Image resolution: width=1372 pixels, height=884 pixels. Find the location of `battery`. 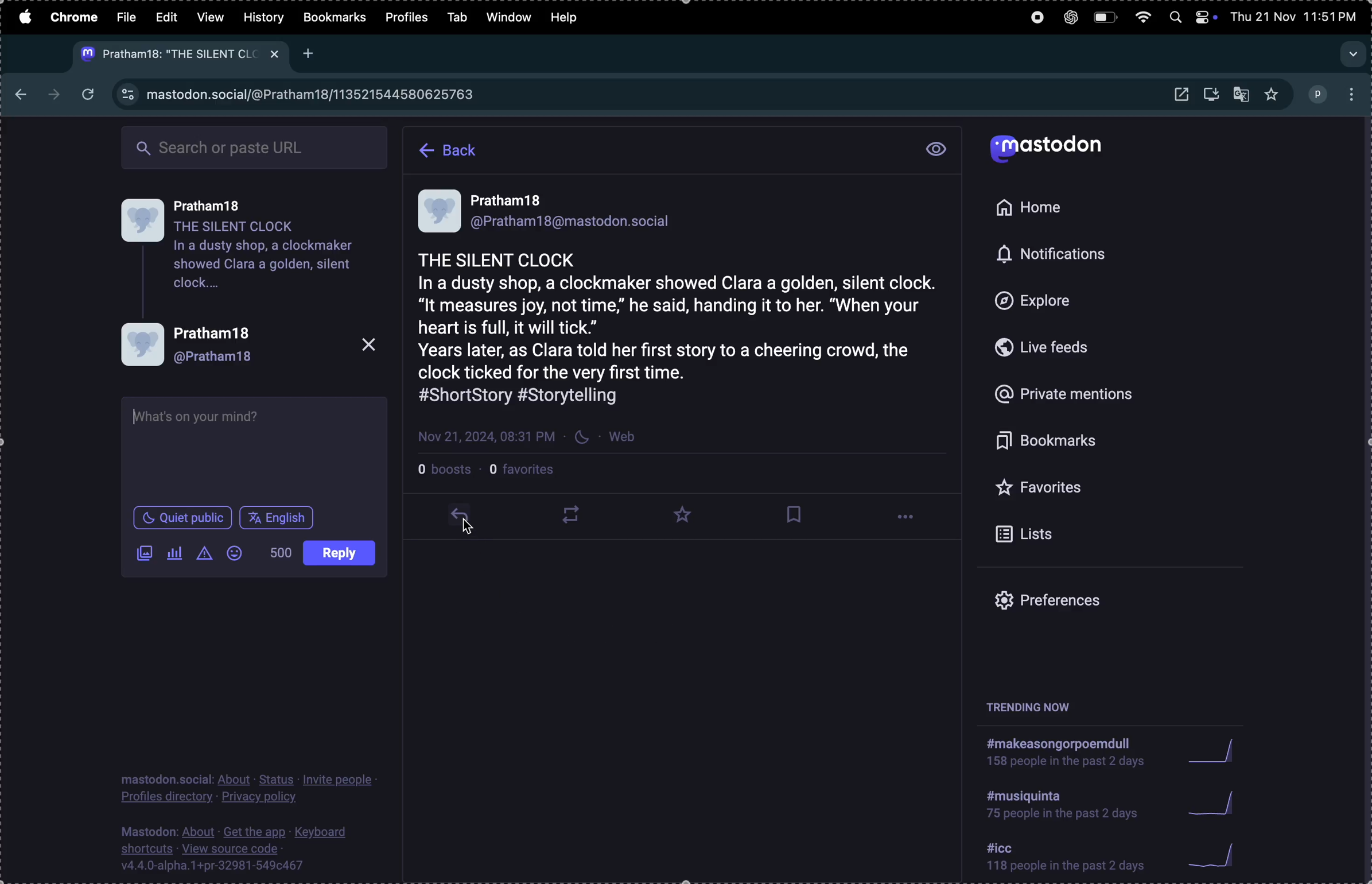

battery is located at coordinates (1104, 18).